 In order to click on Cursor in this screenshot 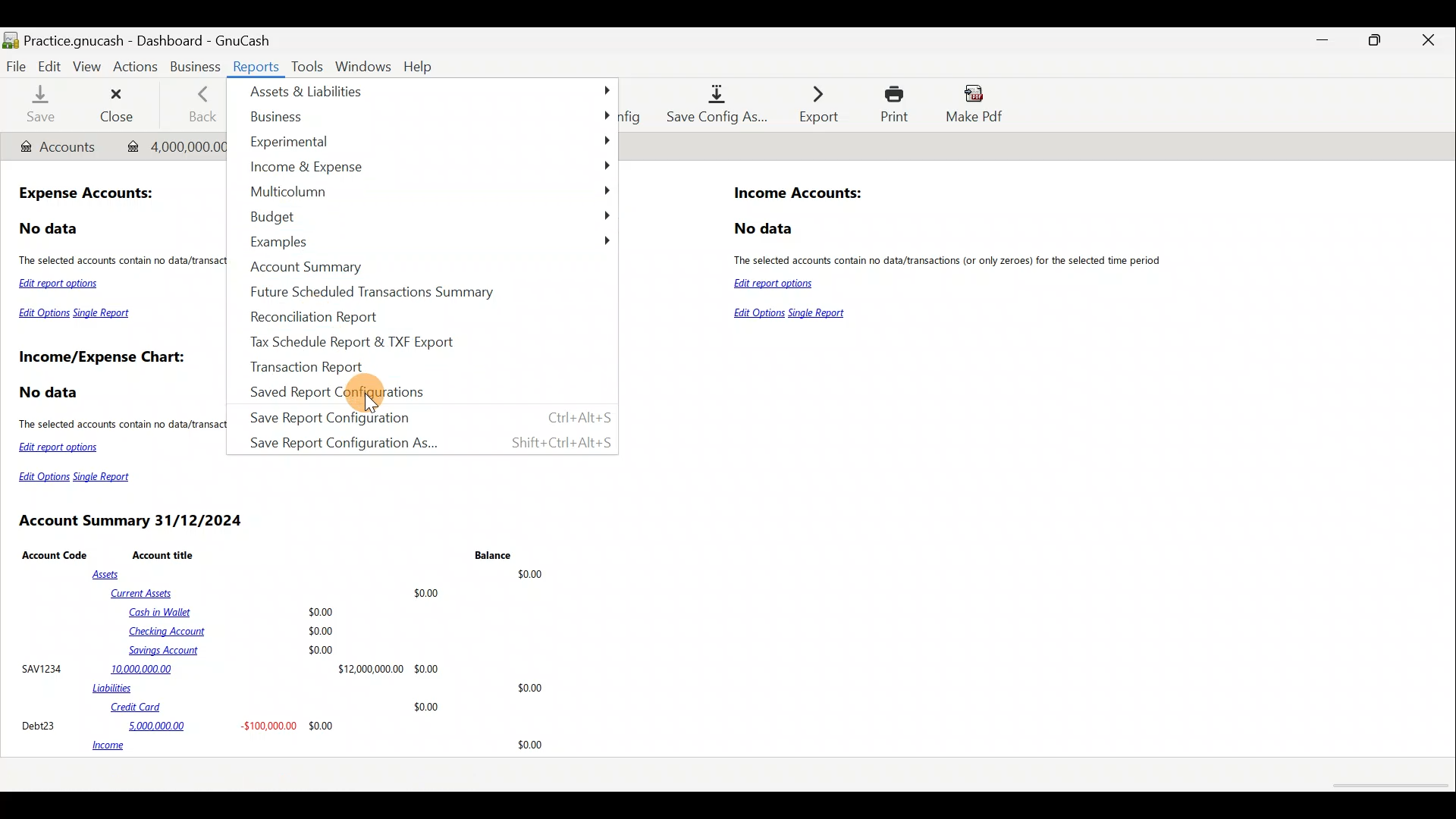, I will do `click(374, 394)`.